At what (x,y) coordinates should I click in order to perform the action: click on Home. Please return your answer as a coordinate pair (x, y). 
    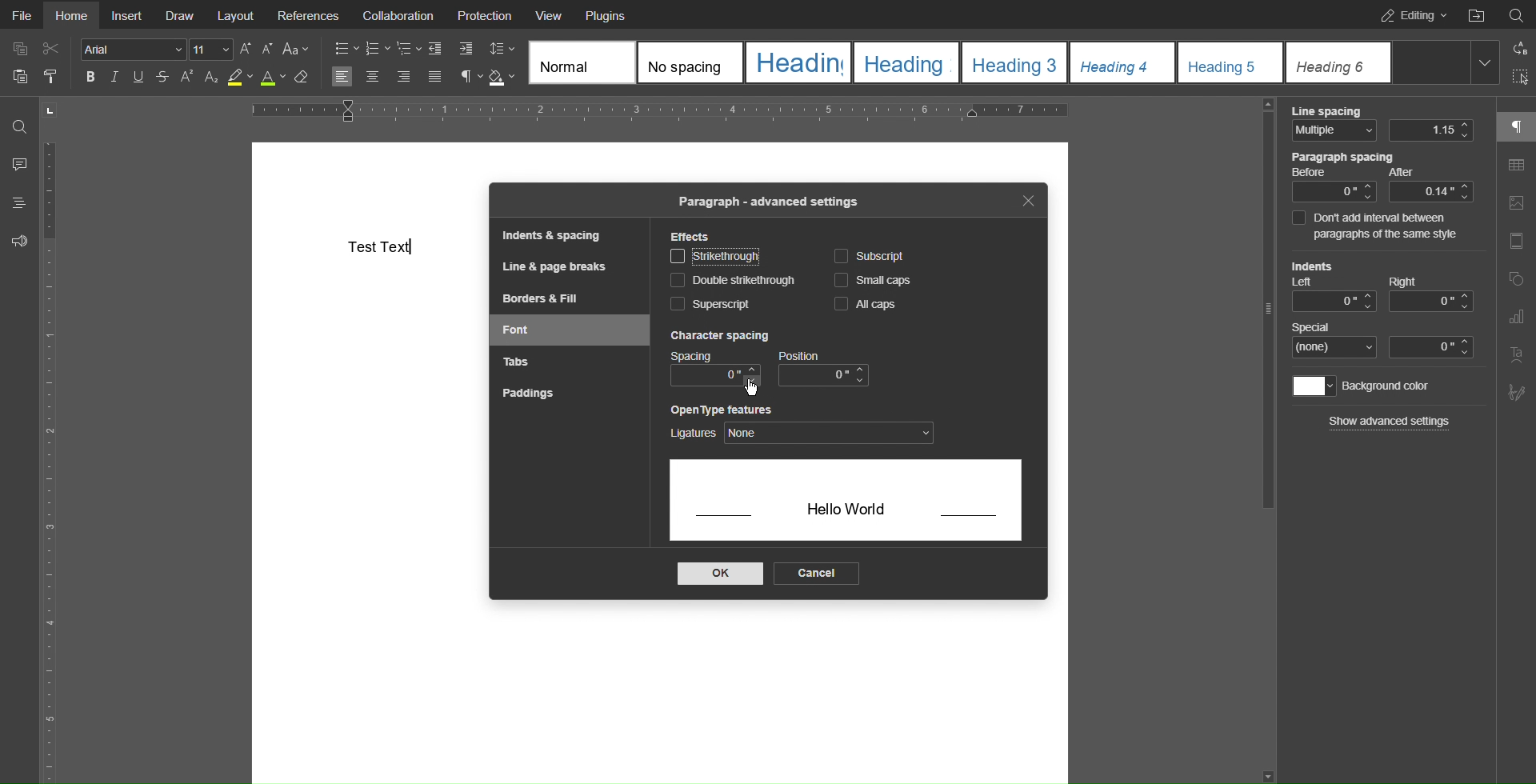
    Looking at the image, I should click on (70, 15).